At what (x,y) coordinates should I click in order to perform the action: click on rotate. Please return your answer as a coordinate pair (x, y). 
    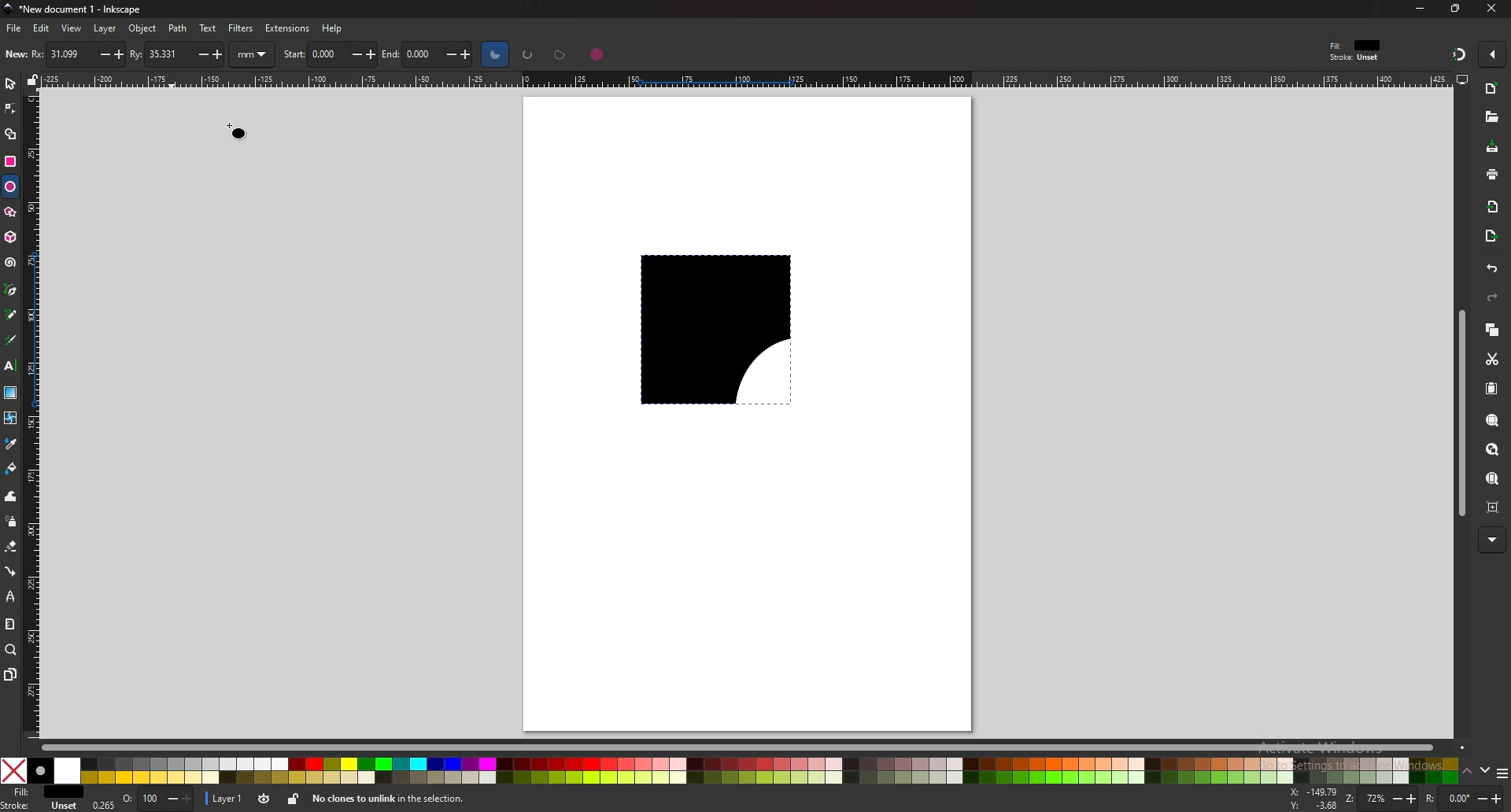
    Looking at the image, I should click on (1463, 799).